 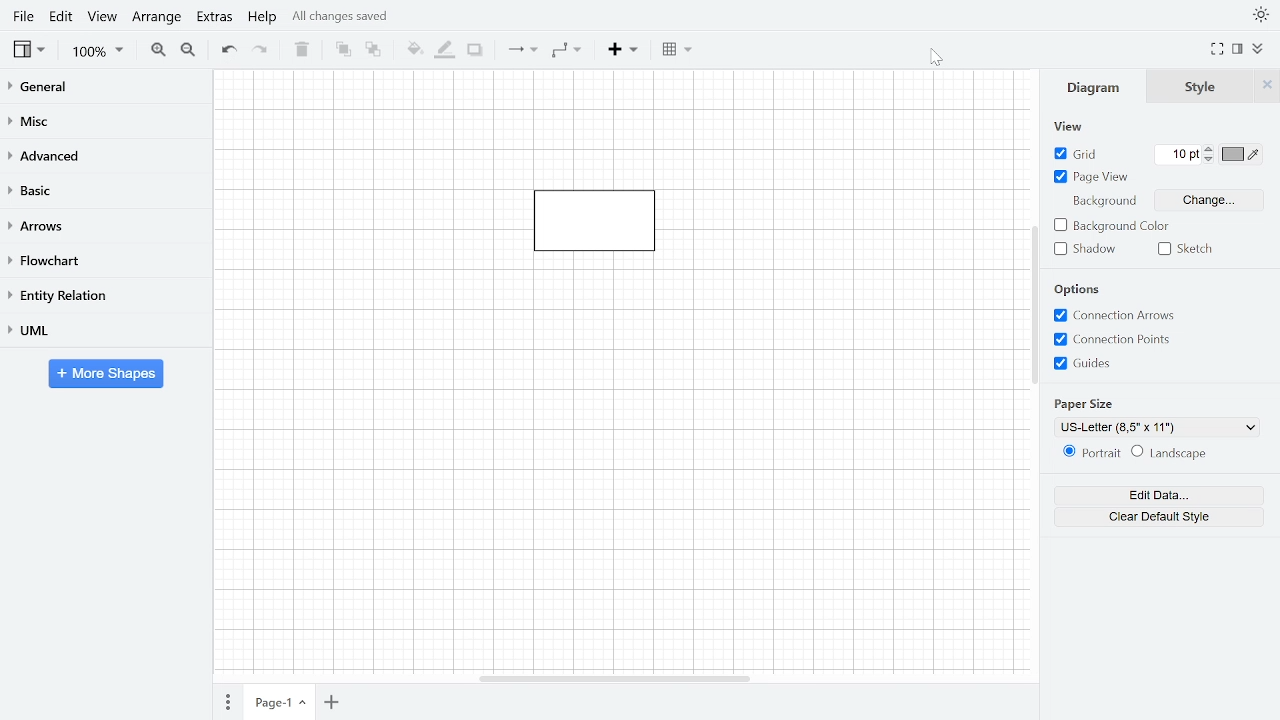 I want to click on Extras, so click(x=214, y=19).